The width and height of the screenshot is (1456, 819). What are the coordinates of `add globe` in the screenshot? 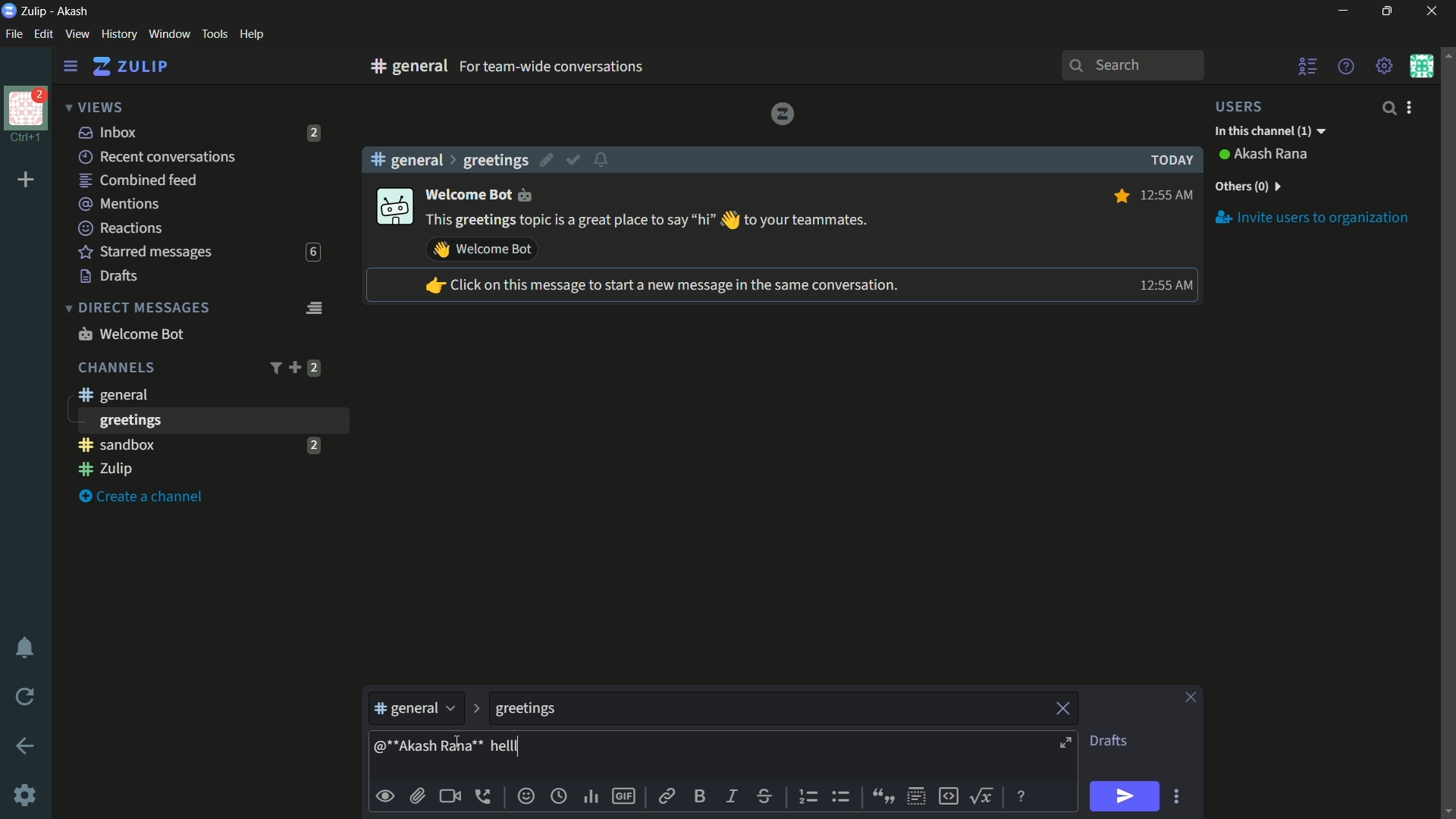 It's located at (559, 798).